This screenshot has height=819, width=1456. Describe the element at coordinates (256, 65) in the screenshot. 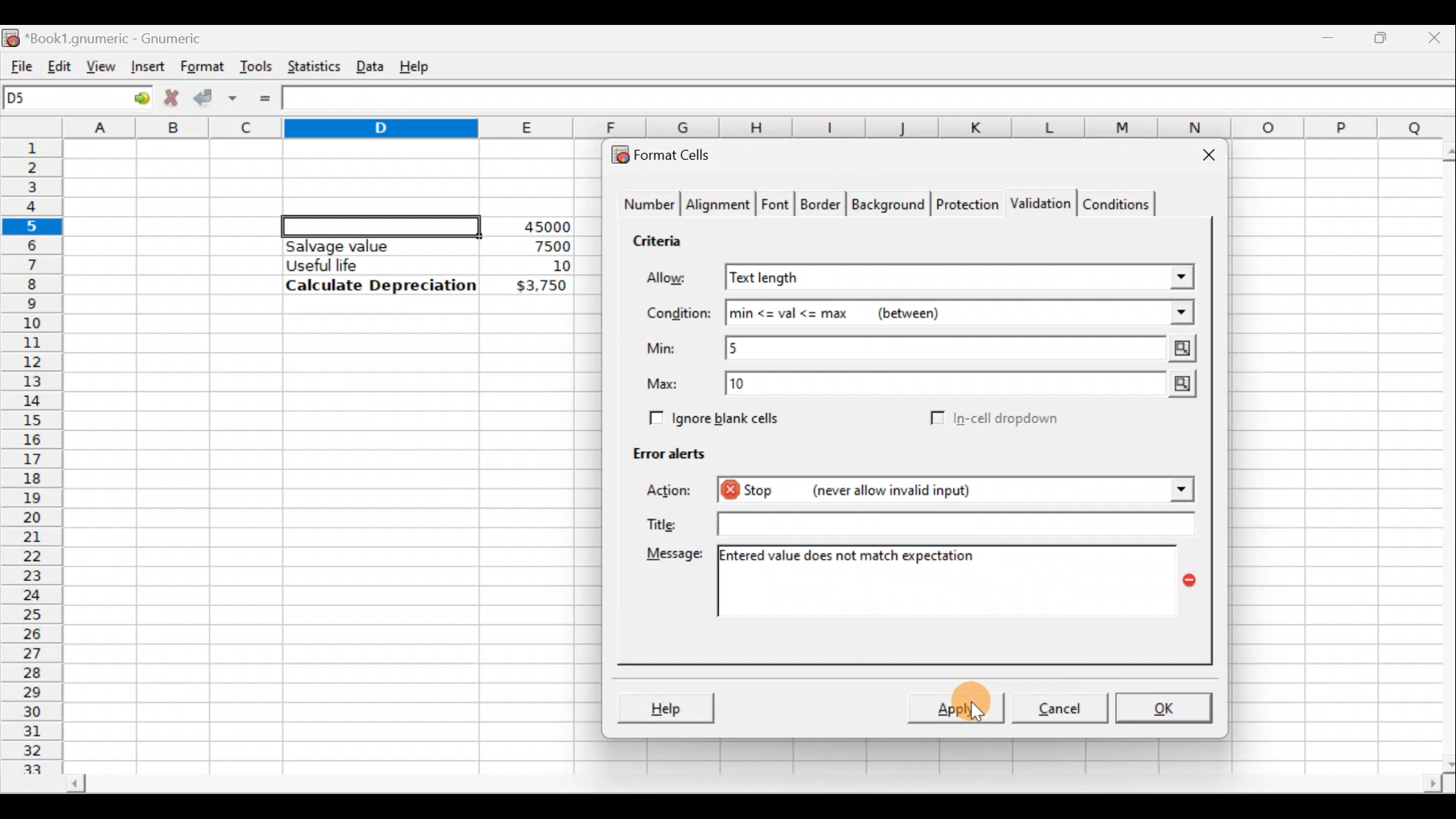

I see `Tools` at that location.